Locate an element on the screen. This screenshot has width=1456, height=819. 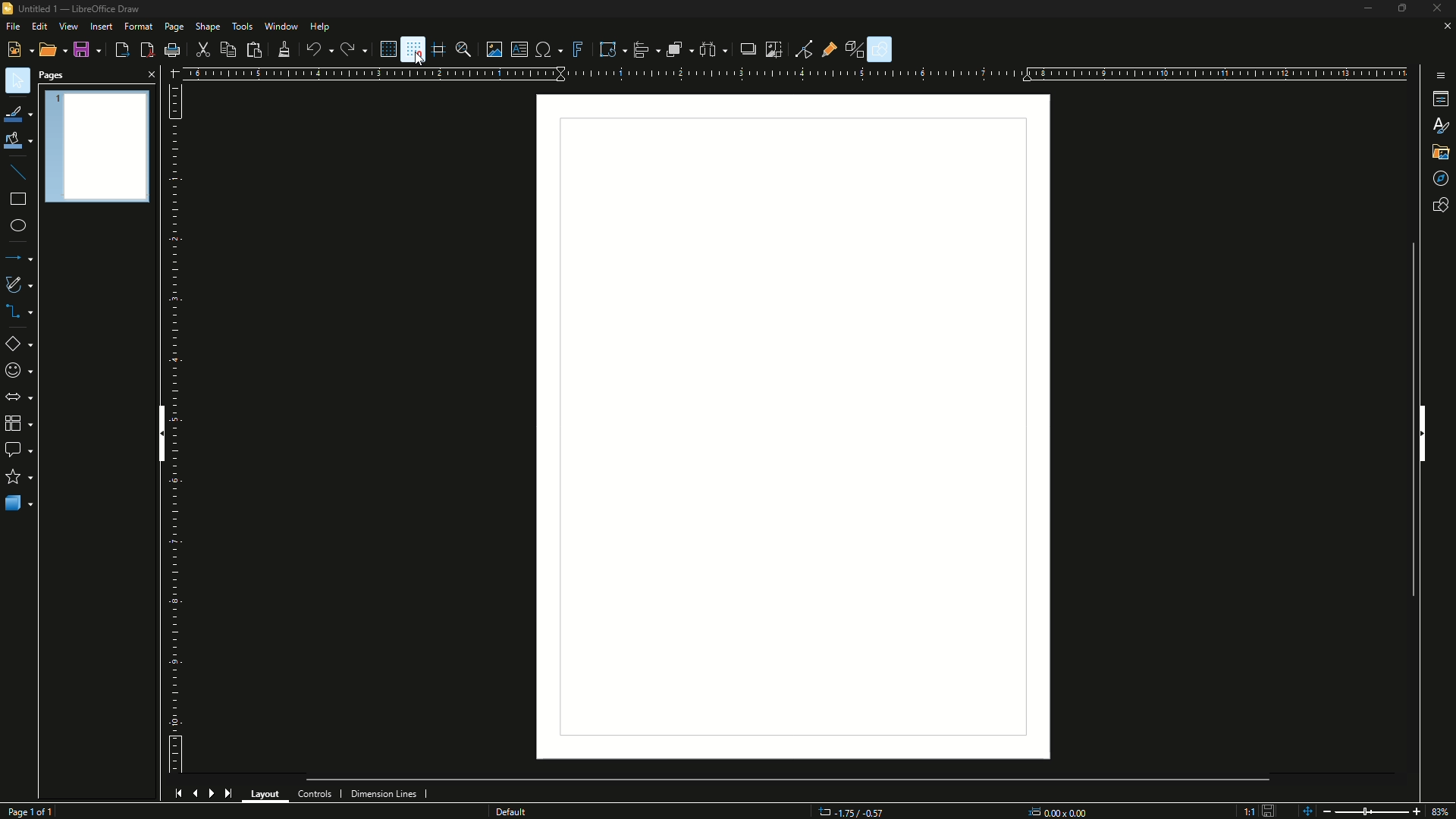
Helplines is located at coordinates (439, 49).